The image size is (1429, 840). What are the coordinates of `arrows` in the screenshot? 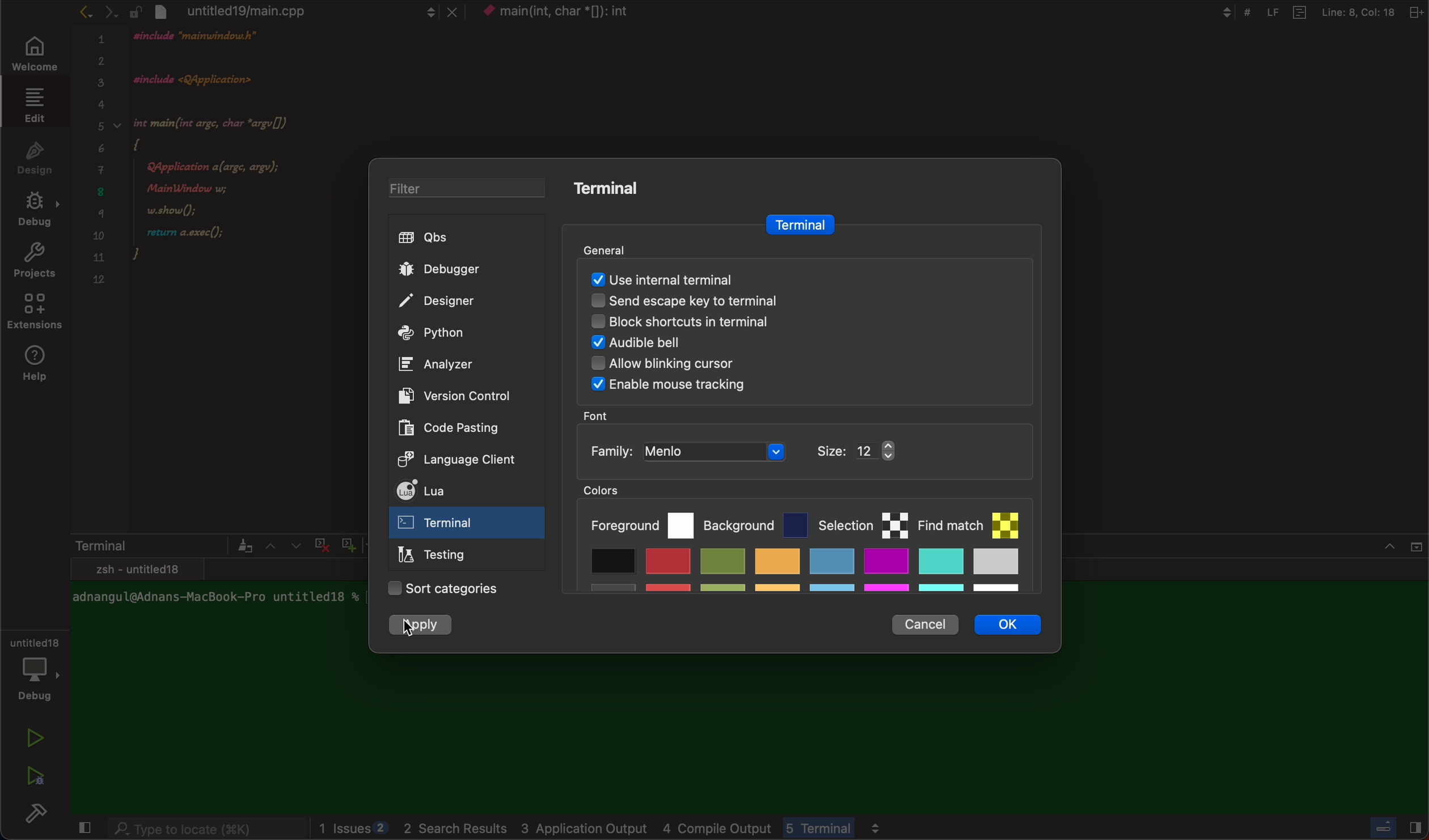 It's located at (97, 11).